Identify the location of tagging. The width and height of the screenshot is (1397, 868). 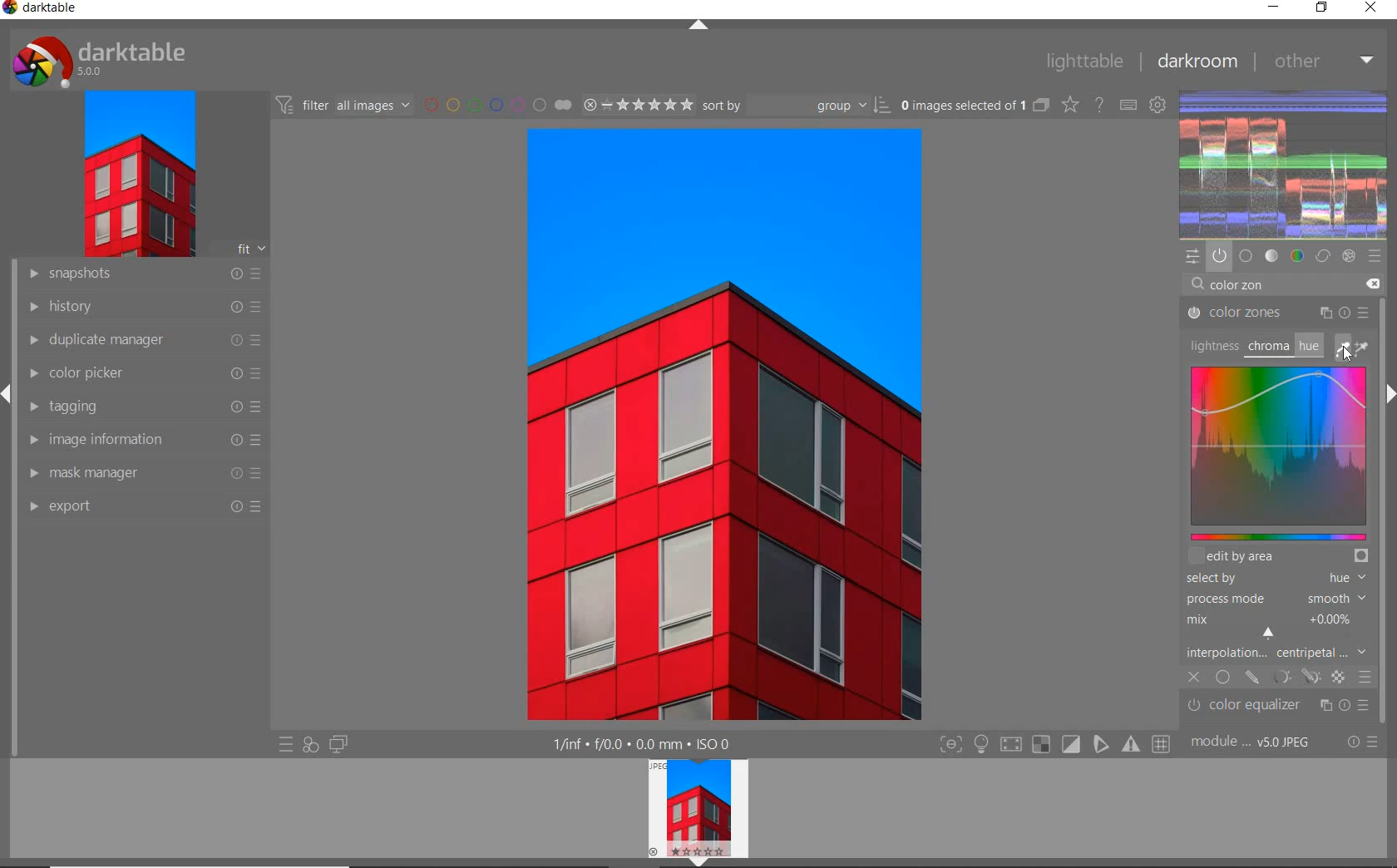
(141, 407).